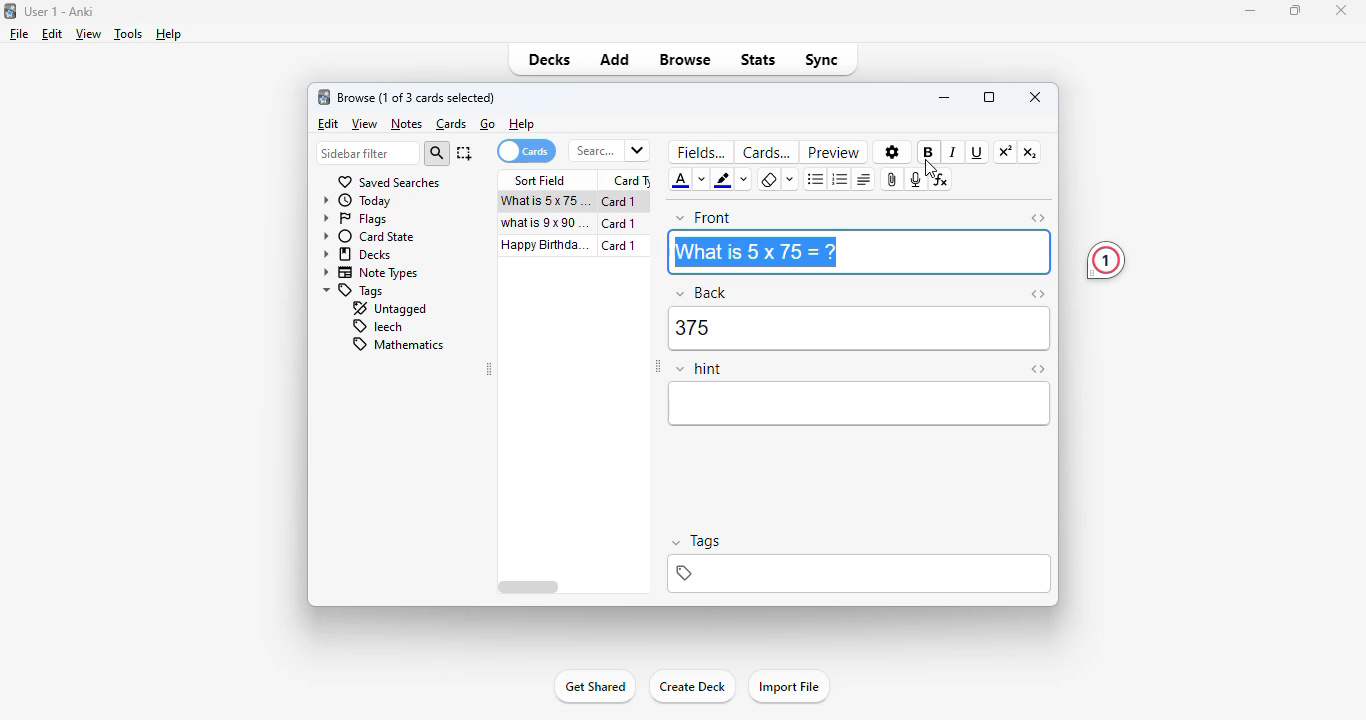 This screenshot has height=720, width=1366. I want to click on equations, so click(942, 179).